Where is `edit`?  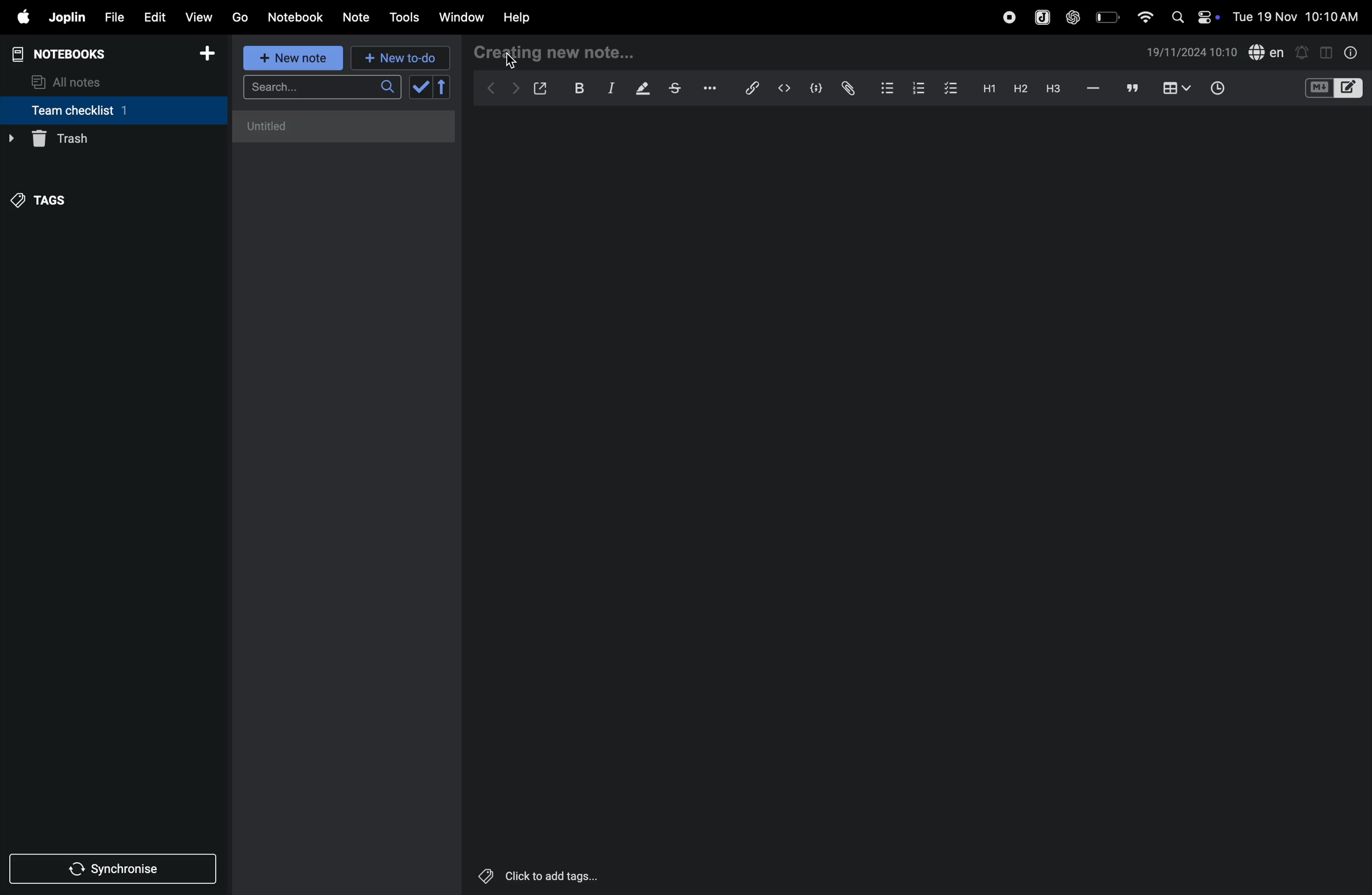 edit is located at coordinates (154, 16).